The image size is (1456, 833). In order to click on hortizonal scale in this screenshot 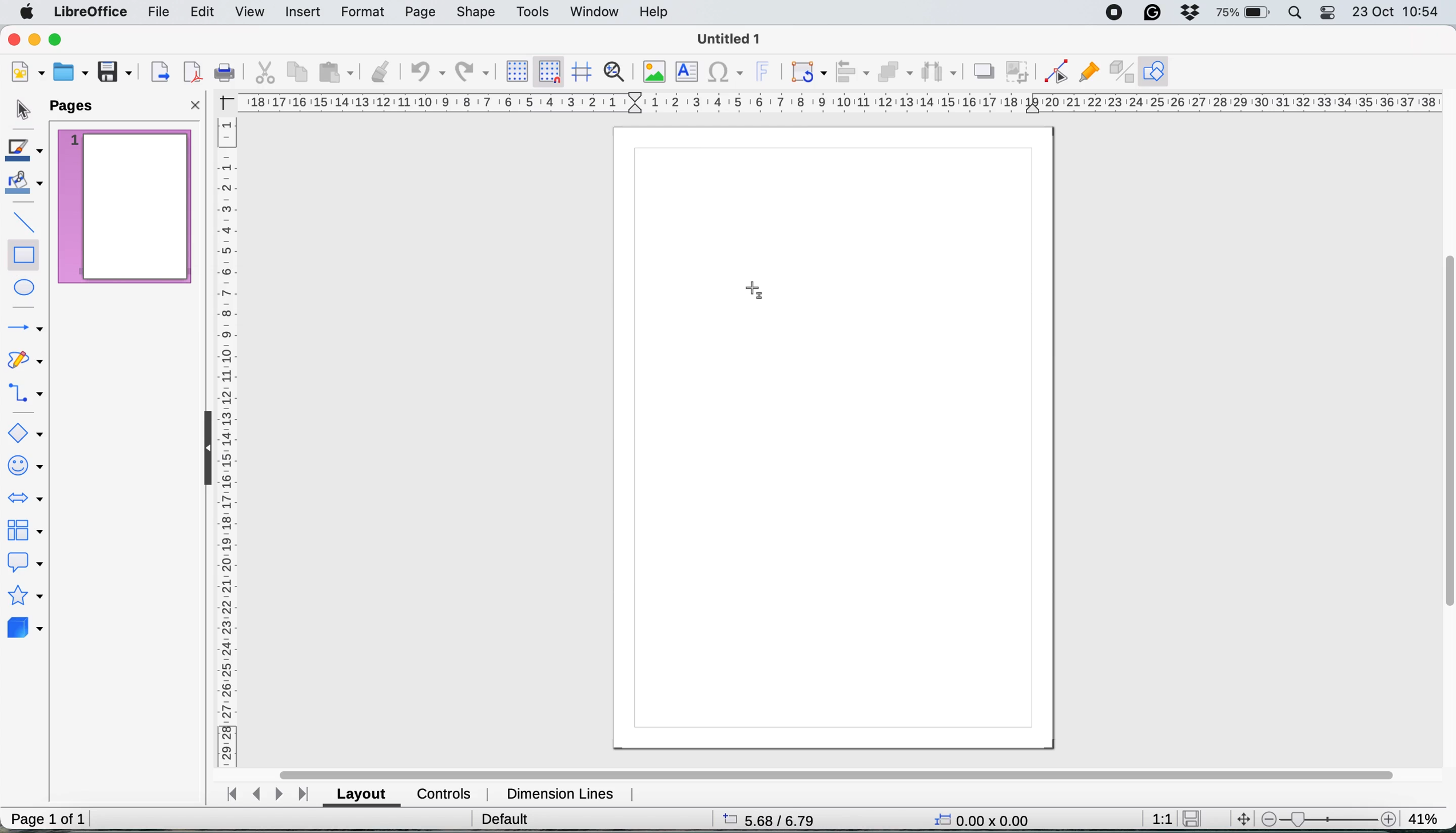, I will do `click(842, 101)`.